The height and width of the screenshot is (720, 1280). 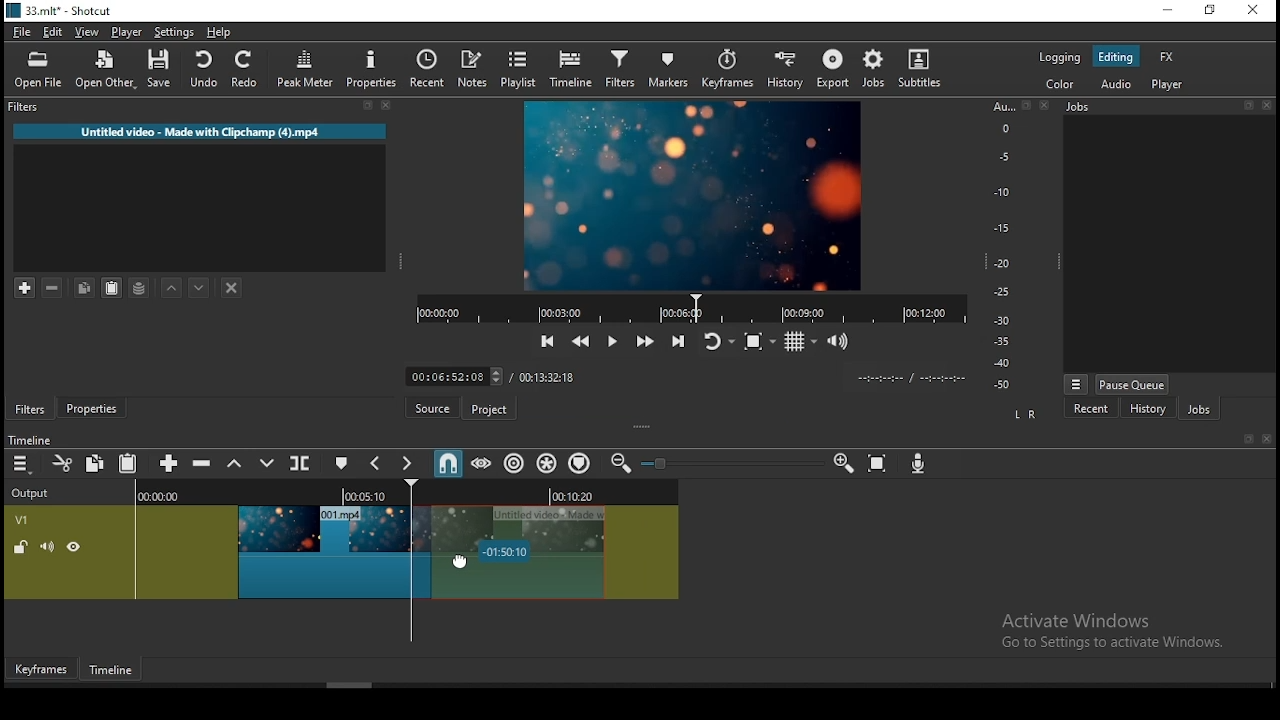 What do you see at coordinates (611, 338) in the screenshot?
I see `play/pause` at bounding box center [611, 338].